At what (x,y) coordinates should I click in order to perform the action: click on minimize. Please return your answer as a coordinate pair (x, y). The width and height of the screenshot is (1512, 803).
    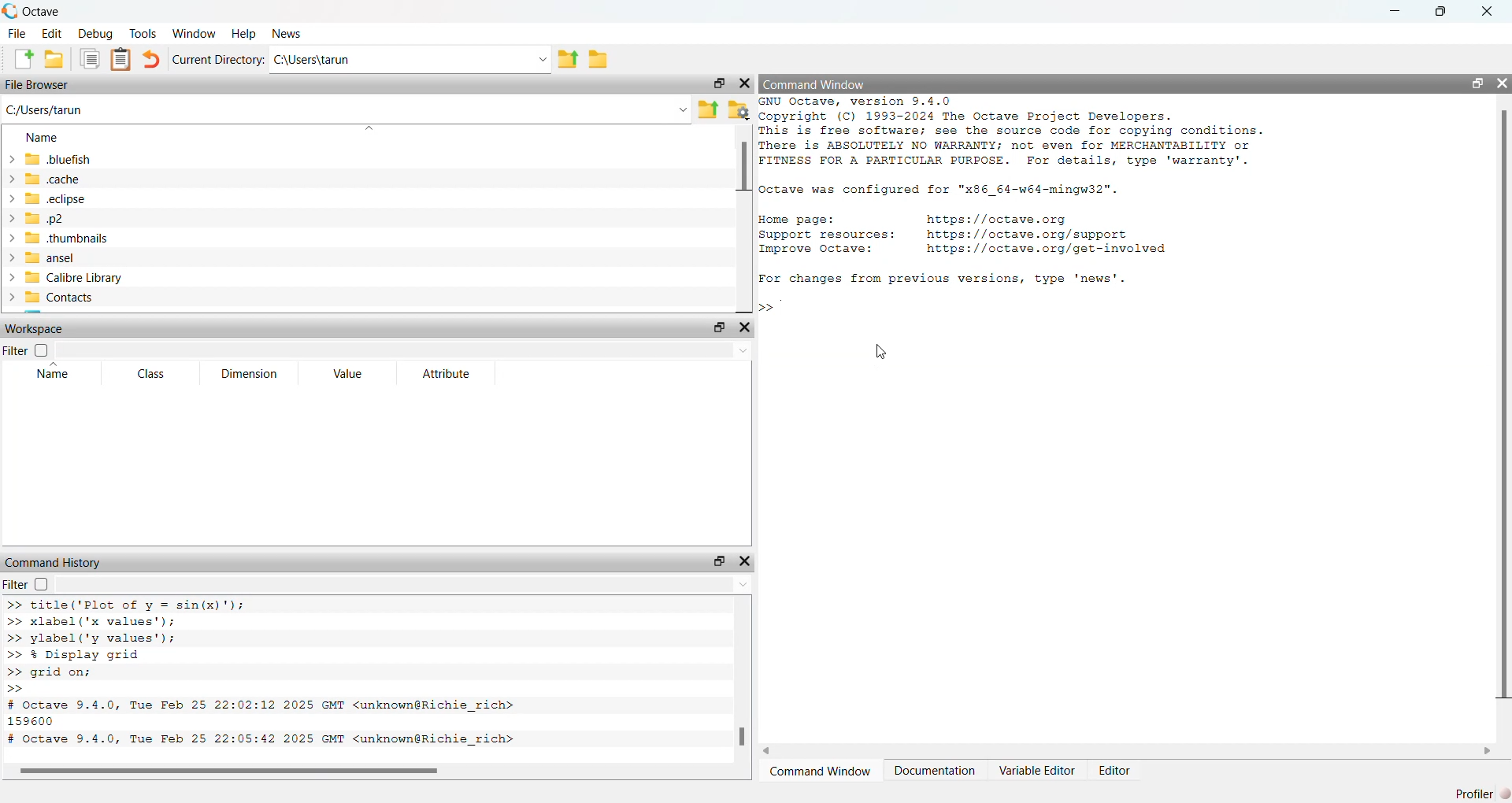
    Looking at the image, I should click on (1394, 13).